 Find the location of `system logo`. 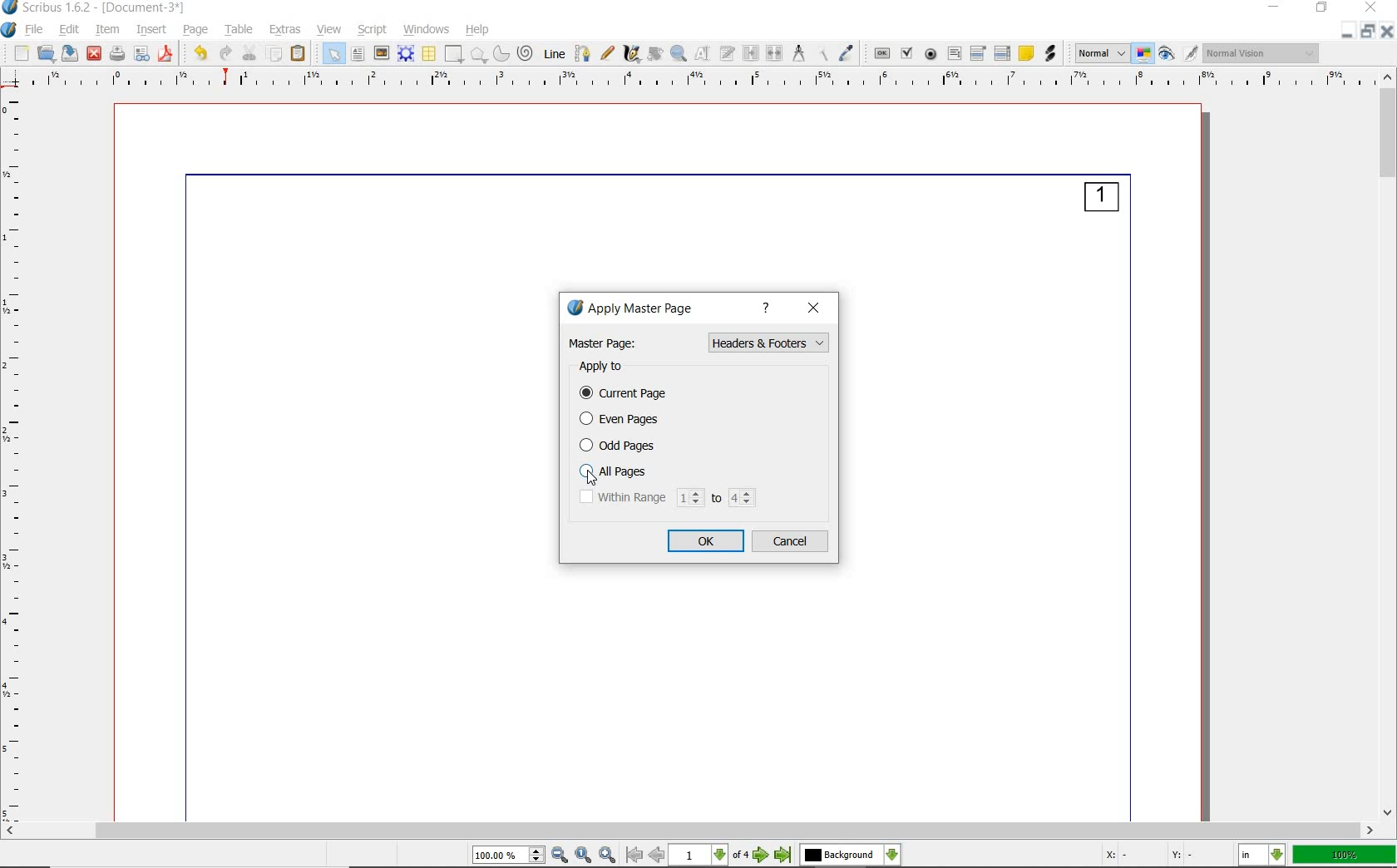

system logo is located at coordinates (9, 31).